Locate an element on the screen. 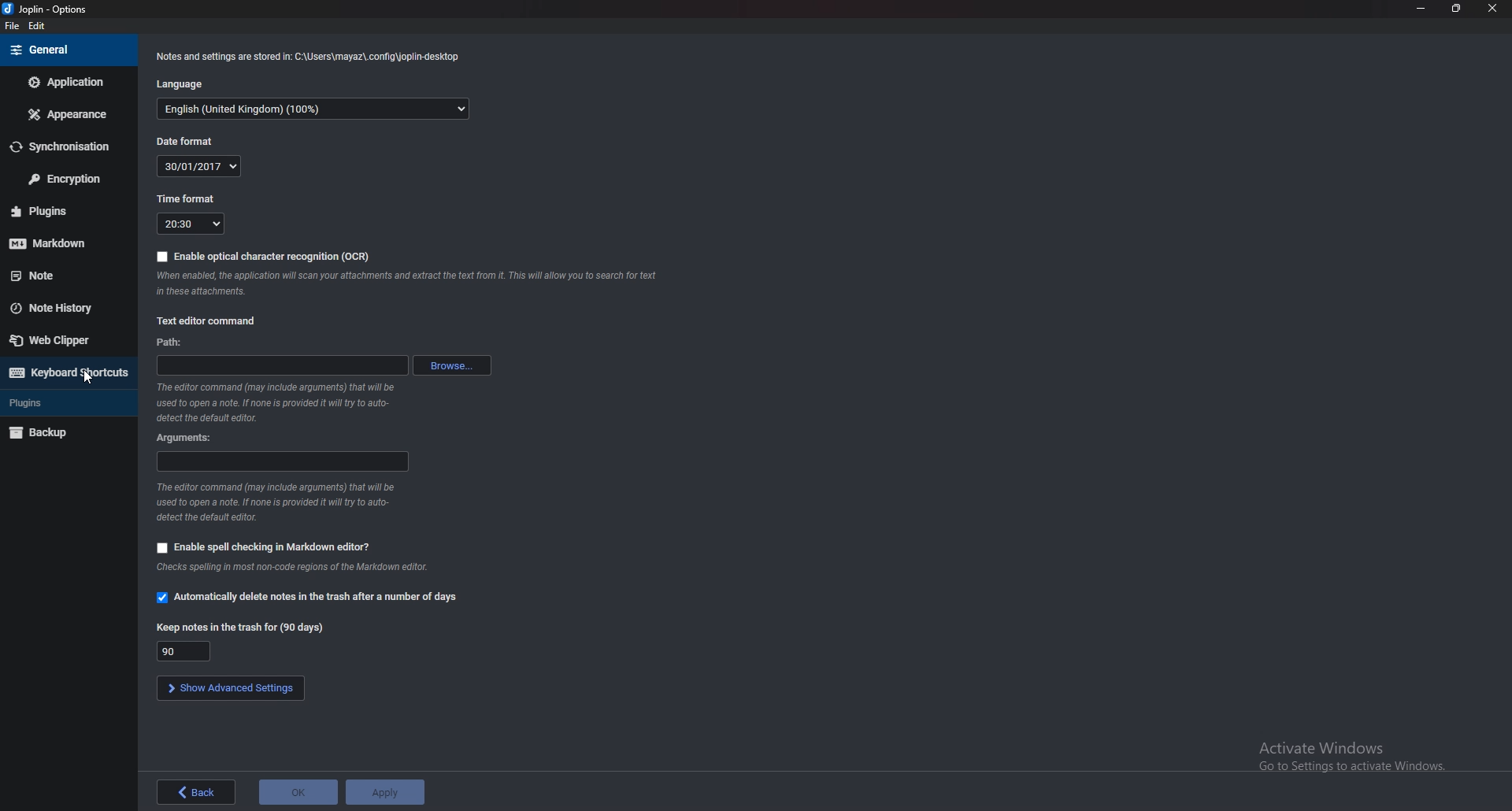  general is located at coordinates (65, 50).